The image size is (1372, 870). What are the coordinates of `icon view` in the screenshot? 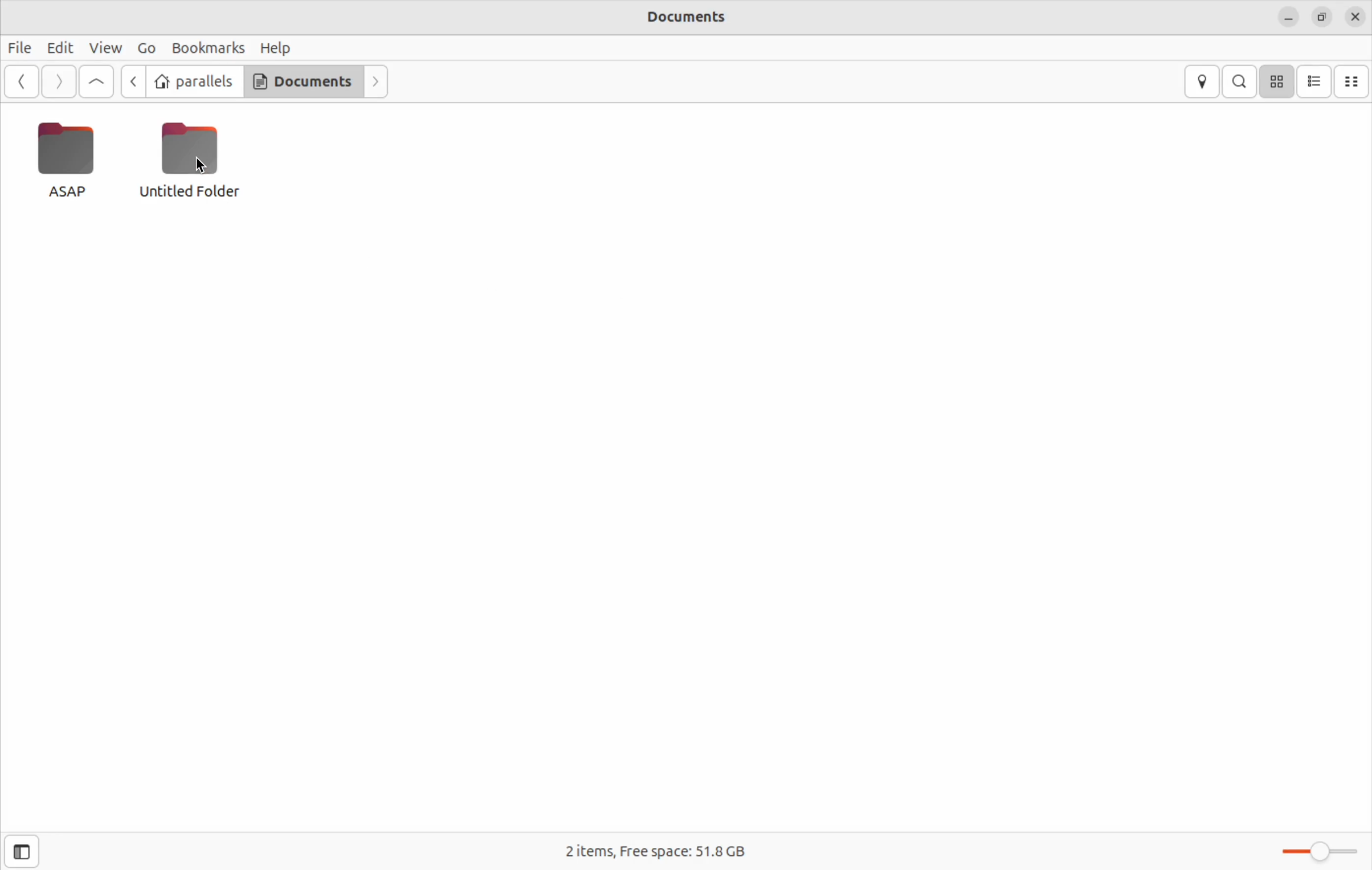 It's located at (1278, 81).